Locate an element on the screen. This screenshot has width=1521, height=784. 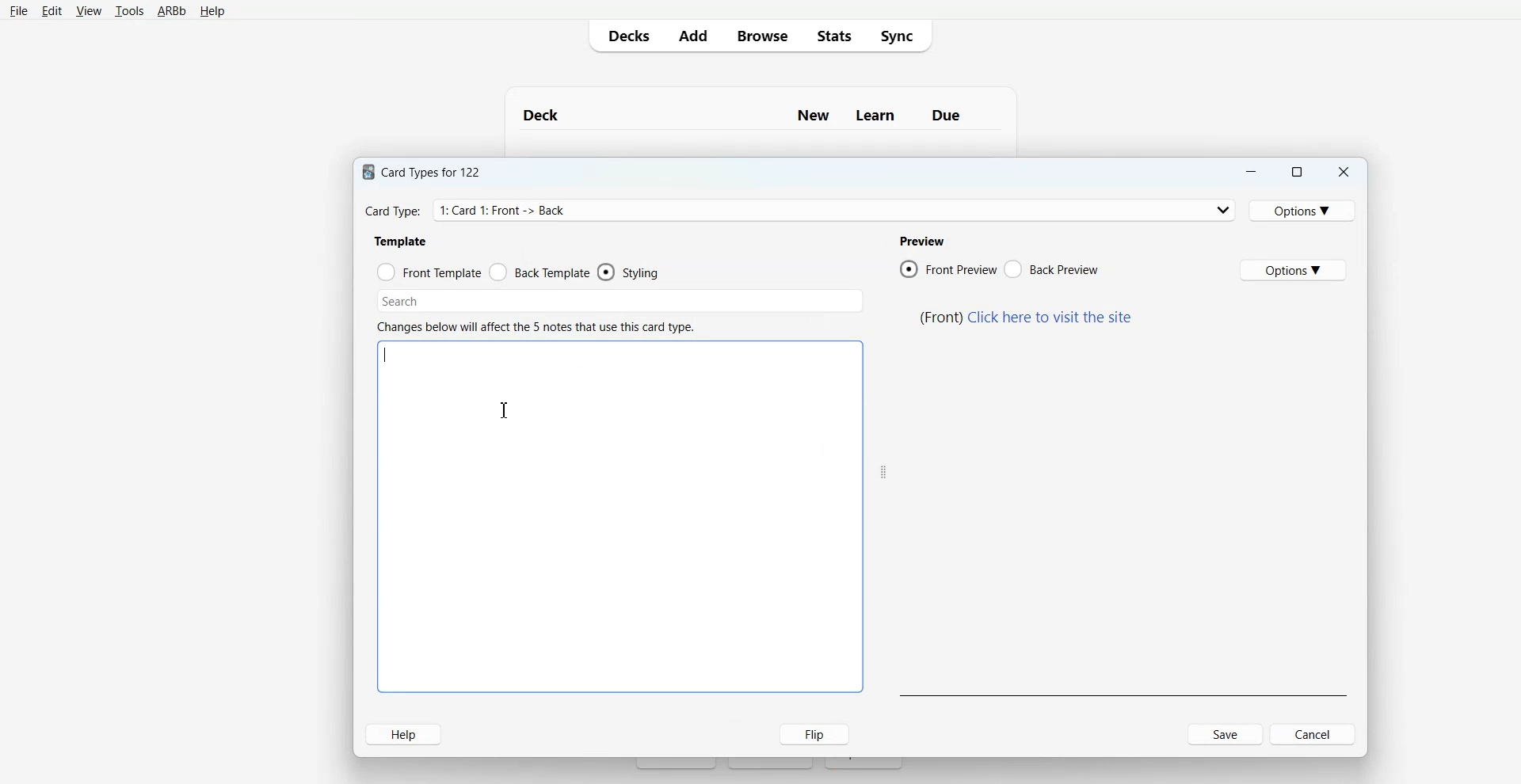
View is located at coordinates (89, 10).